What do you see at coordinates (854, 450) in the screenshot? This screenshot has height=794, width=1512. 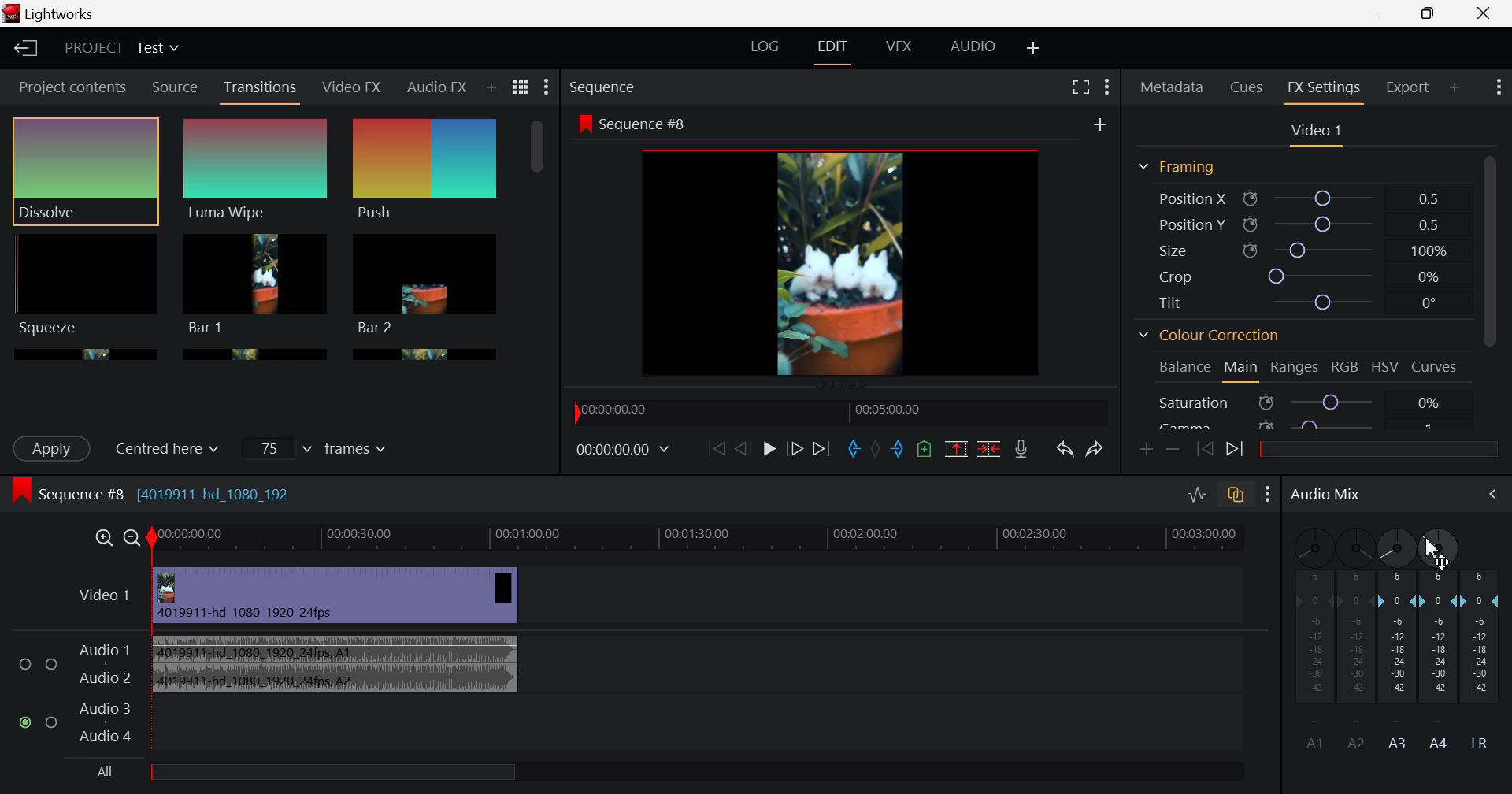 I see `Mark In` at bounding box center [854, 450].